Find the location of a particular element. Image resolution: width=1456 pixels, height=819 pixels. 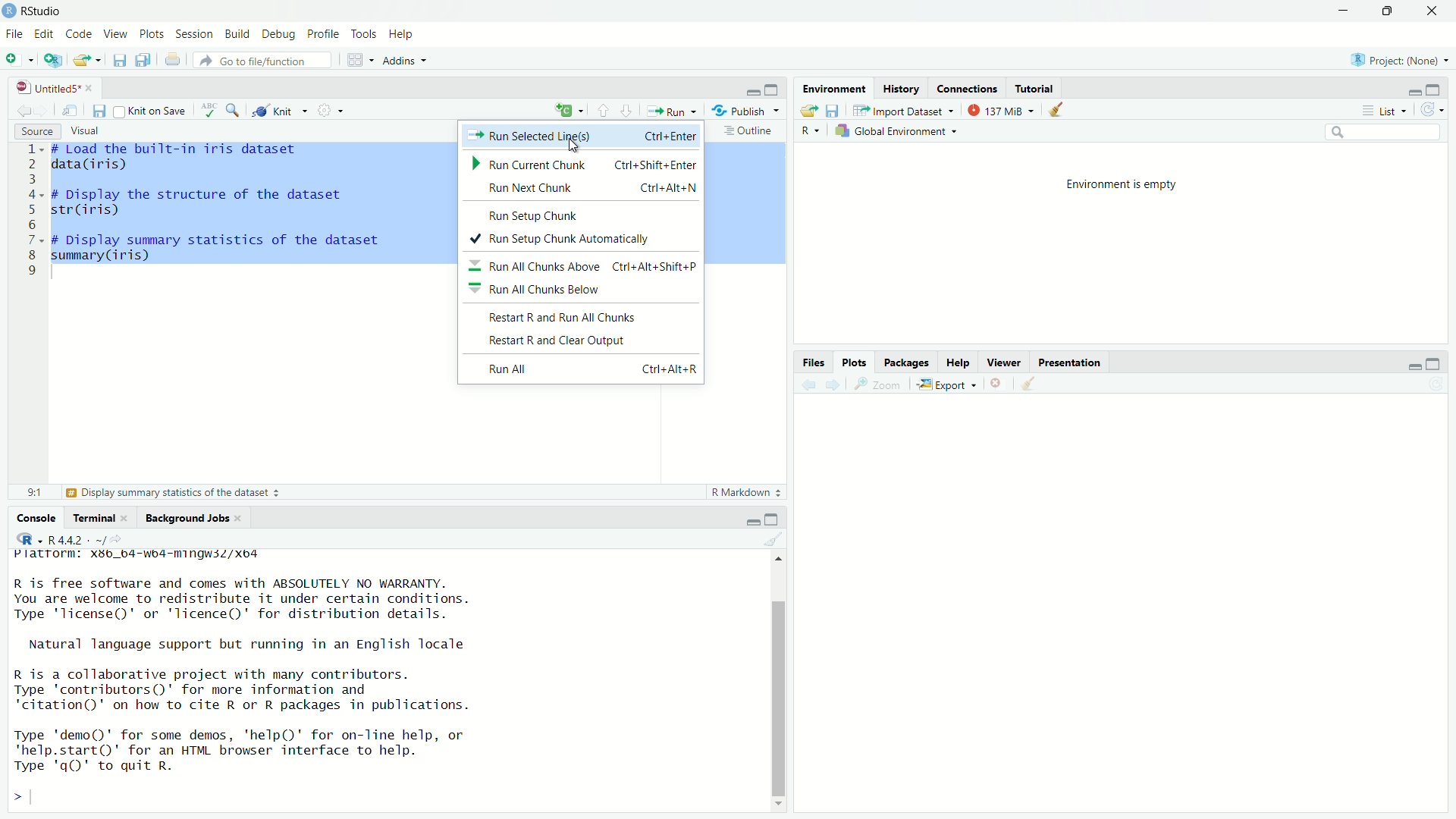

Remove selected is located at coordinates (999, 383).